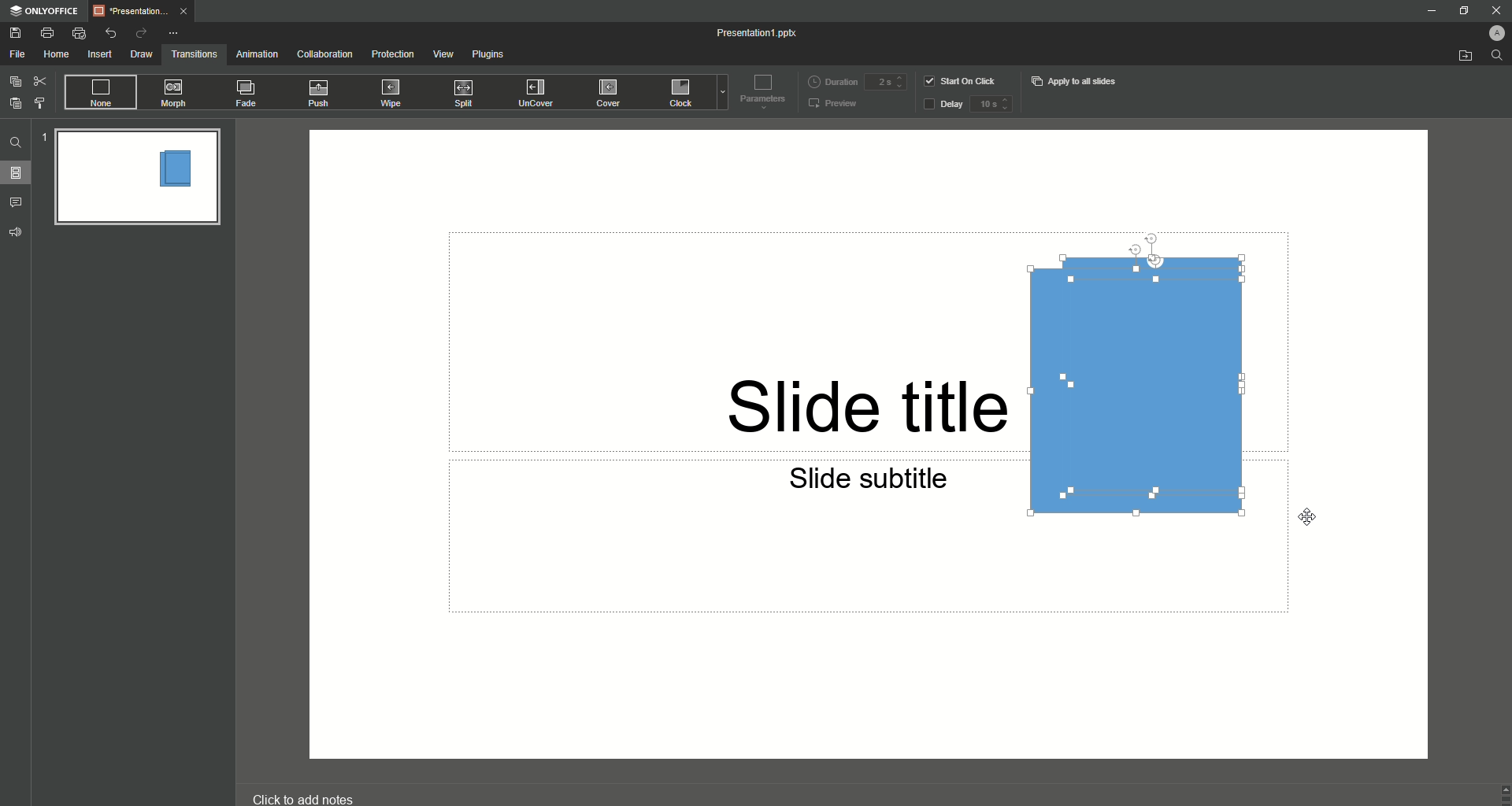 This screenshot has height=806, width=1512. What do you see at coordinates (18, 54) in the screenshot?
I see `File` at bounding box center [18, 54].